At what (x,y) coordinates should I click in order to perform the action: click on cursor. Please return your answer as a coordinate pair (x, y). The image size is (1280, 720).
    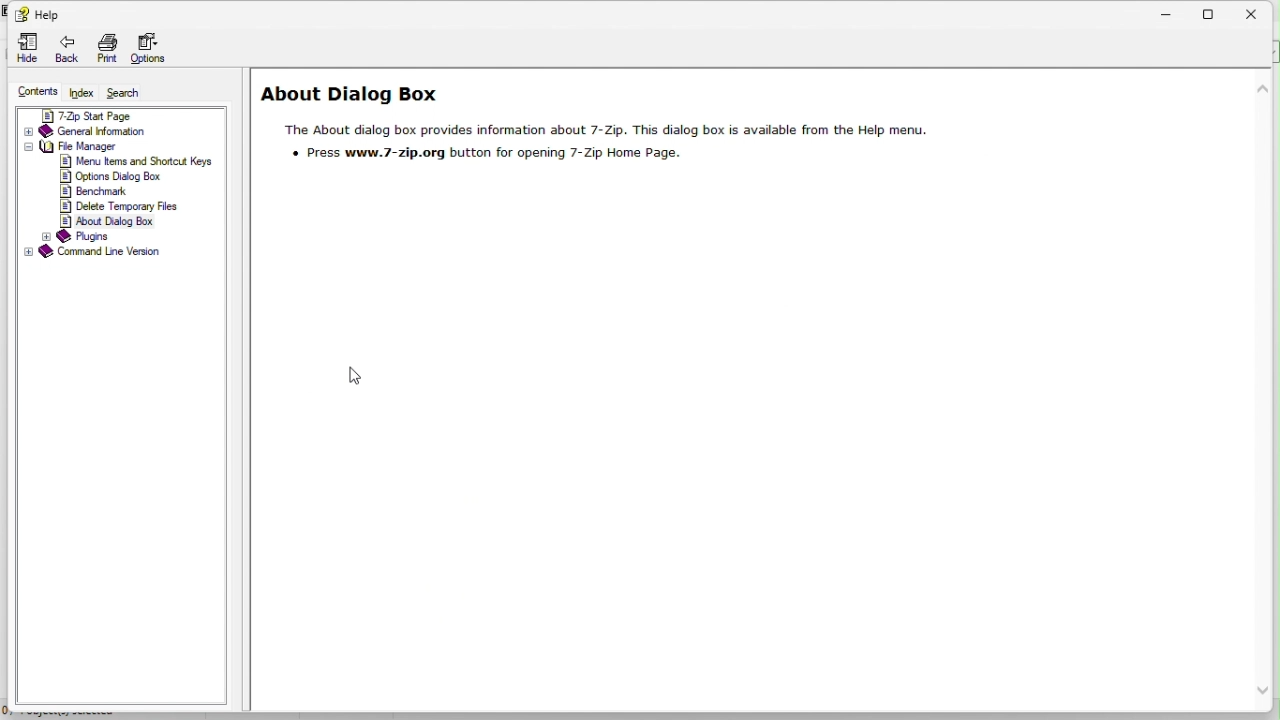
    Looking at the image, I should click on (359, 376).